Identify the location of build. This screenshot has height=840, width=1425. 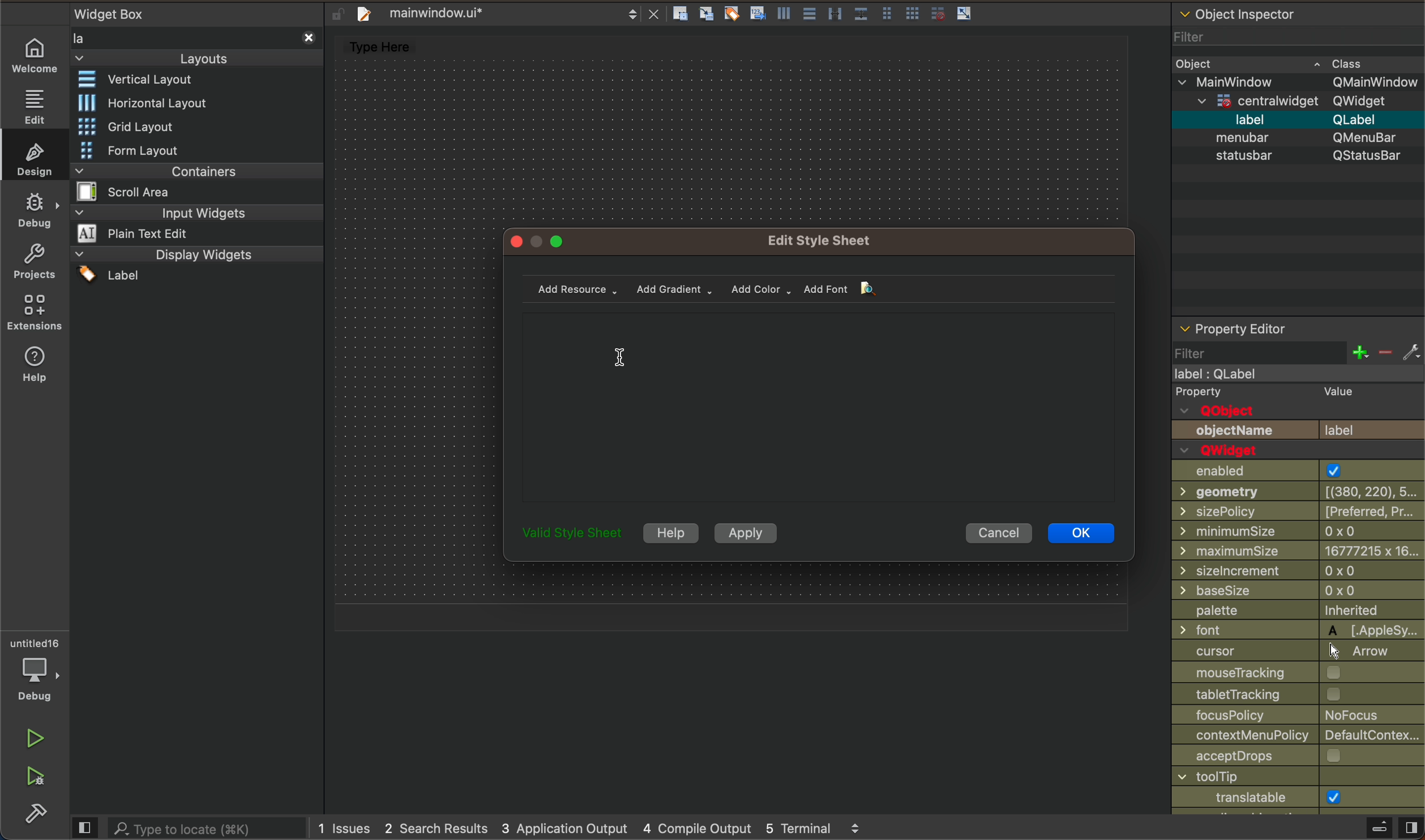
(37, 816).